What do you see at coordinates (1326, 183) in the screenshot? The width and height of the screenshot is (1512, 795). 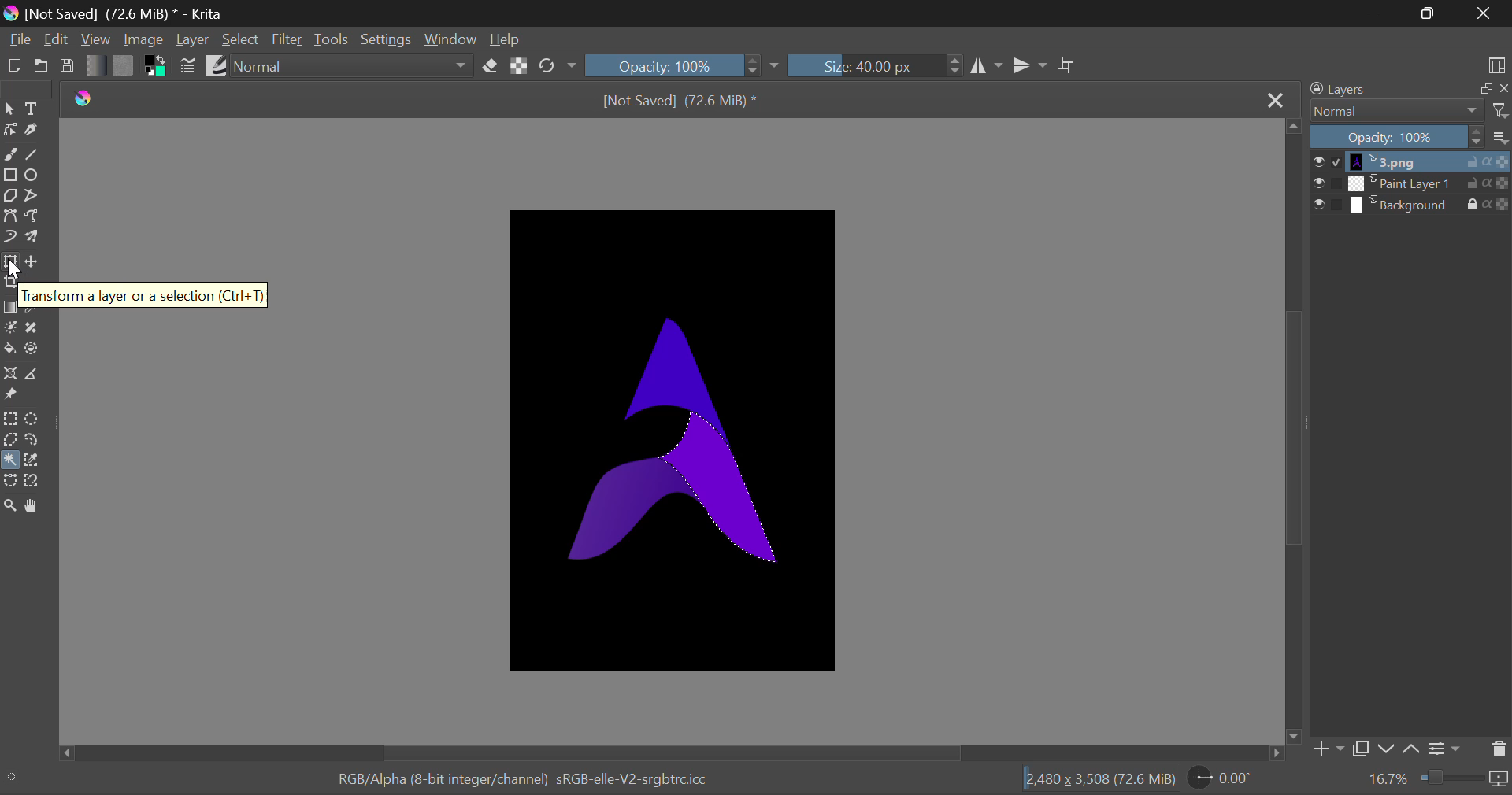 I see `checkbox` at bounding box center [1326, 183].